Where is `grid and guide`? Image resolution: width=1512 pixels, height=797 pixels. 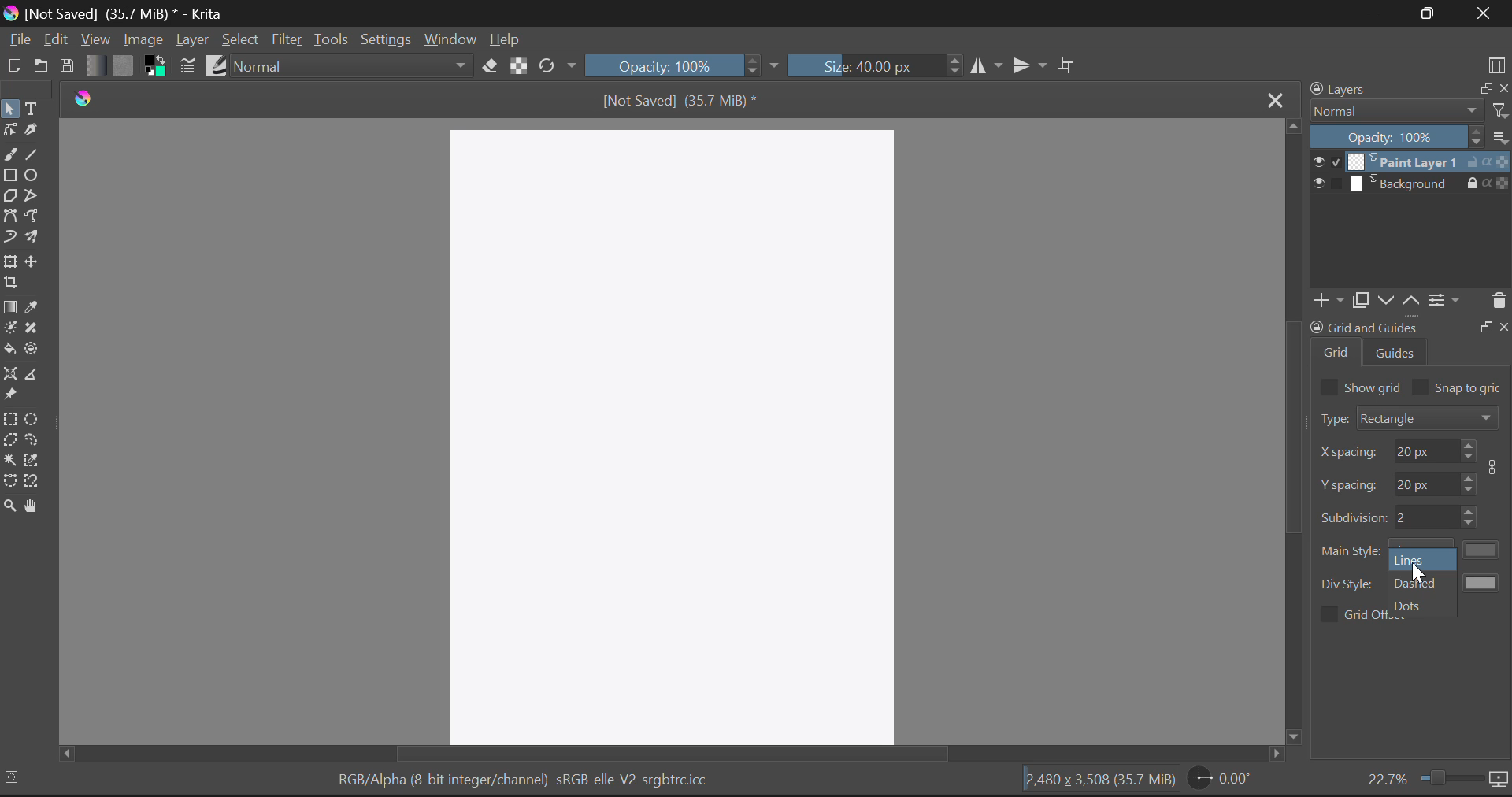 grid and guide is located at coordinates (1363, 327).